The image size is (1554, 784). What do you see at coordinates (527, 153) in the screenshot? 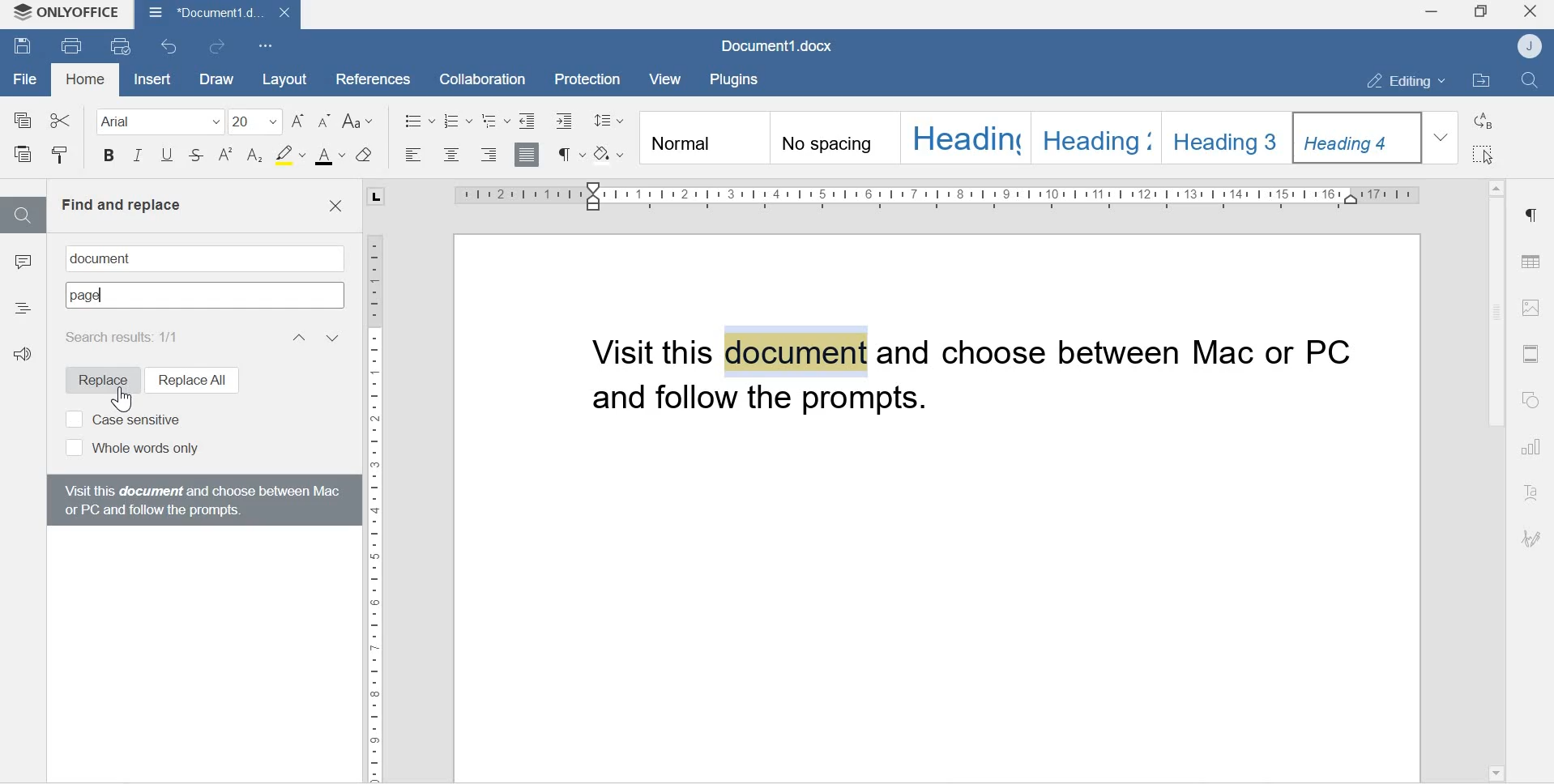
I see `Justified` at bounding box center [527, 153].